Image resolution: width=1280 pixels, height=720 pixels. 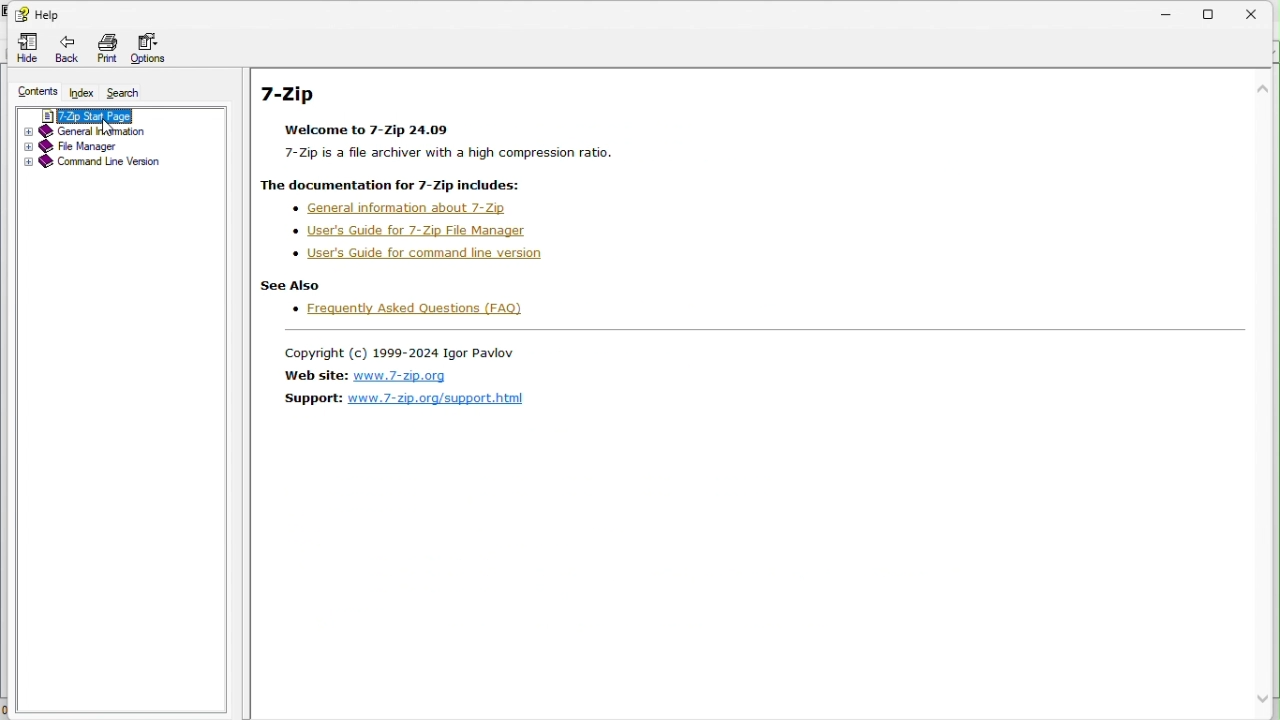 What do you see at coordinates (399, 377) in the screenshot?
I see `Website link` at bounding box center [399, 377].